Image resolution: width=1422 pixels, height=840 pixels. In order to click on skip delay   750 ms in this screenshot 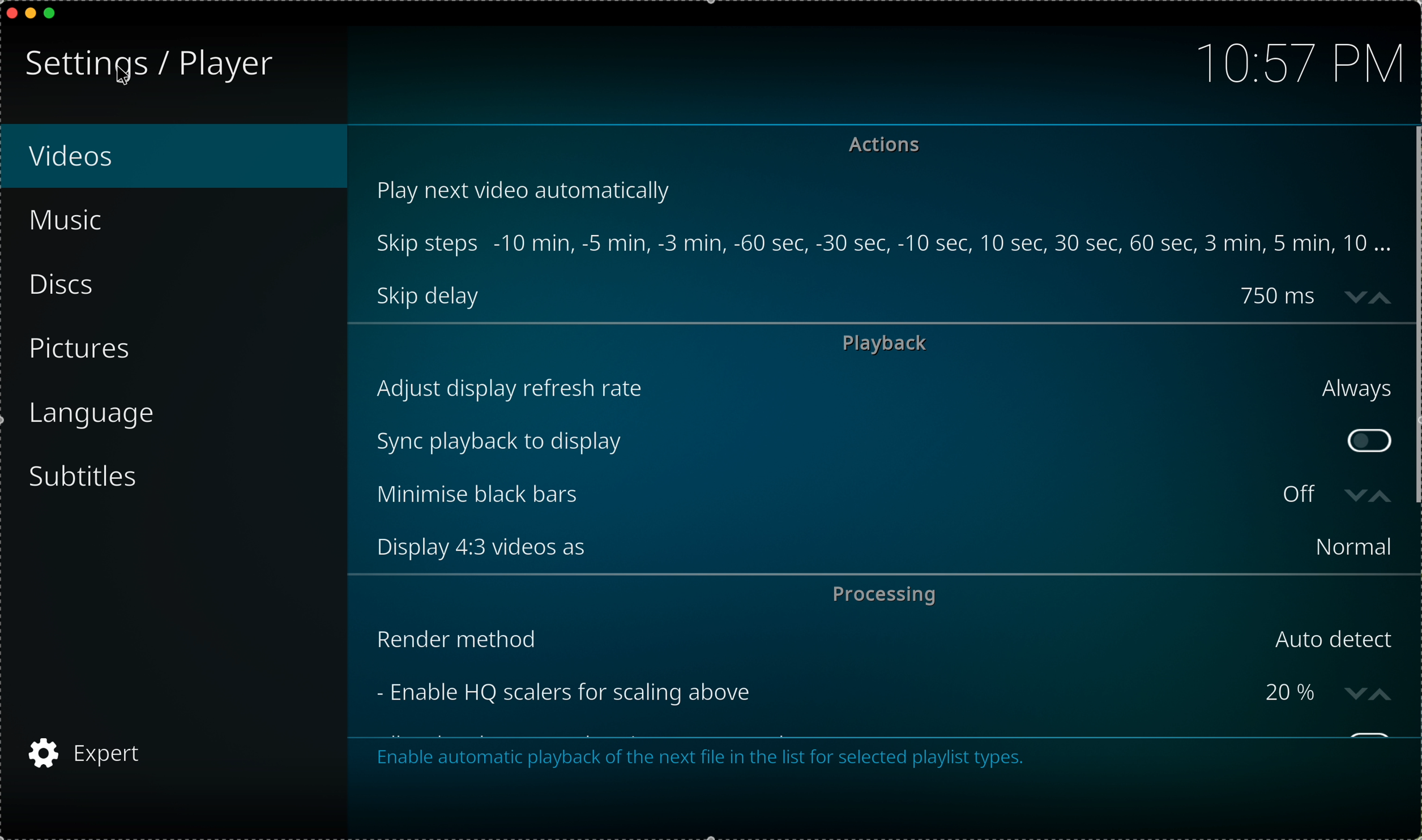, I will do `click(848, 296)`.